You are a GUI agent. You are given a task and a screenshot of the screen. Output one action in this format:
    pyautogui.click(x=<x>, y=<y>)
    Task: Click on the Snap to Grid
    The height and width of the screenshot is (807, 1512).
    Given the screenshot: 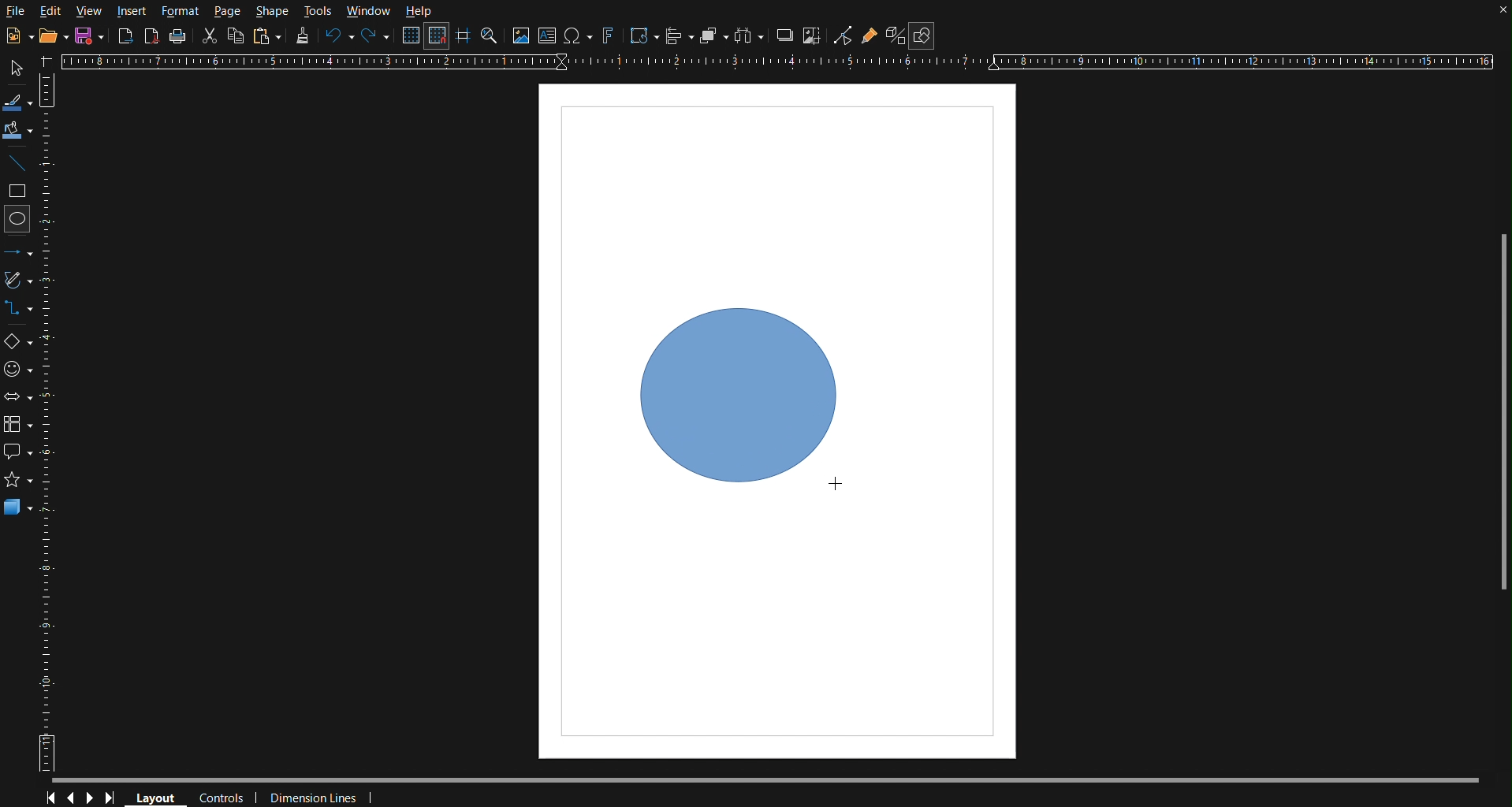 What is the action you would take?
    pyautogui.click(x=438, y=37)
    